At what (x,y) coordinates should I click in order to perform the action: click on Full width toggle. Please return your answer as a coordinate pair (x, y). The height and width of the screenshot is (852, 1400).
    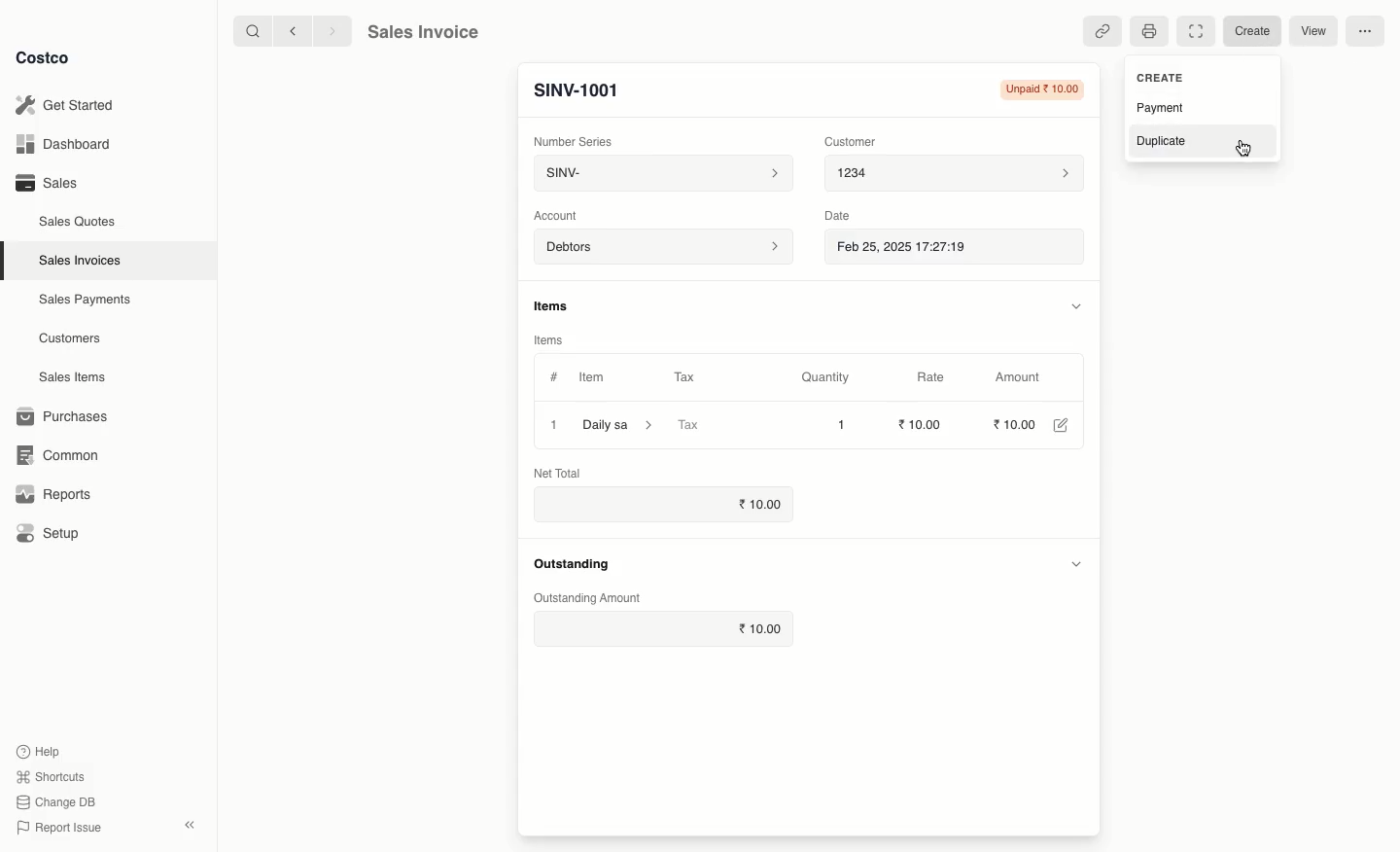
    Looking at the image, I should click on (1197, 31).